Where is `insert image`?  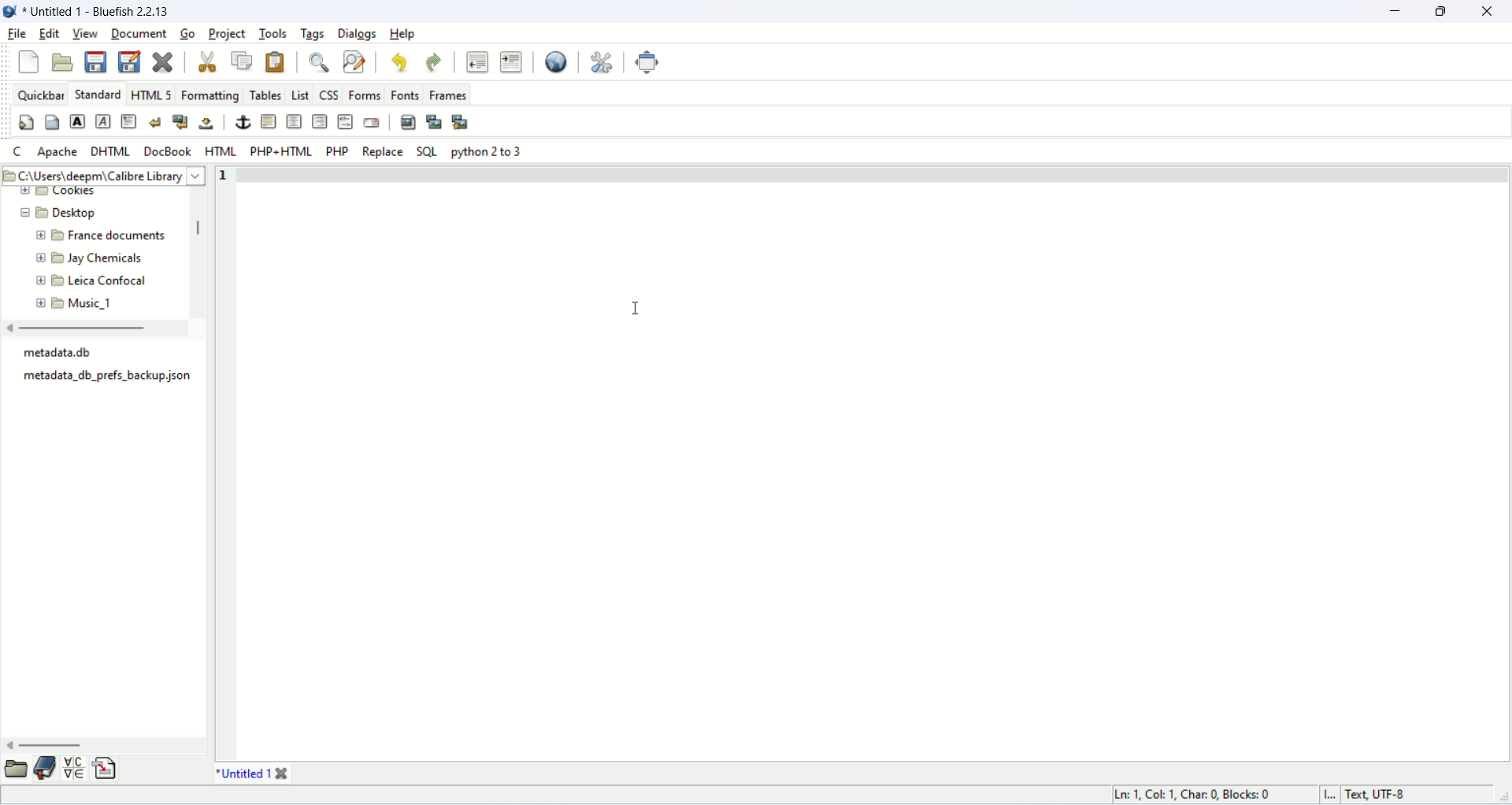
insert image is located at coordinates (409, 123).